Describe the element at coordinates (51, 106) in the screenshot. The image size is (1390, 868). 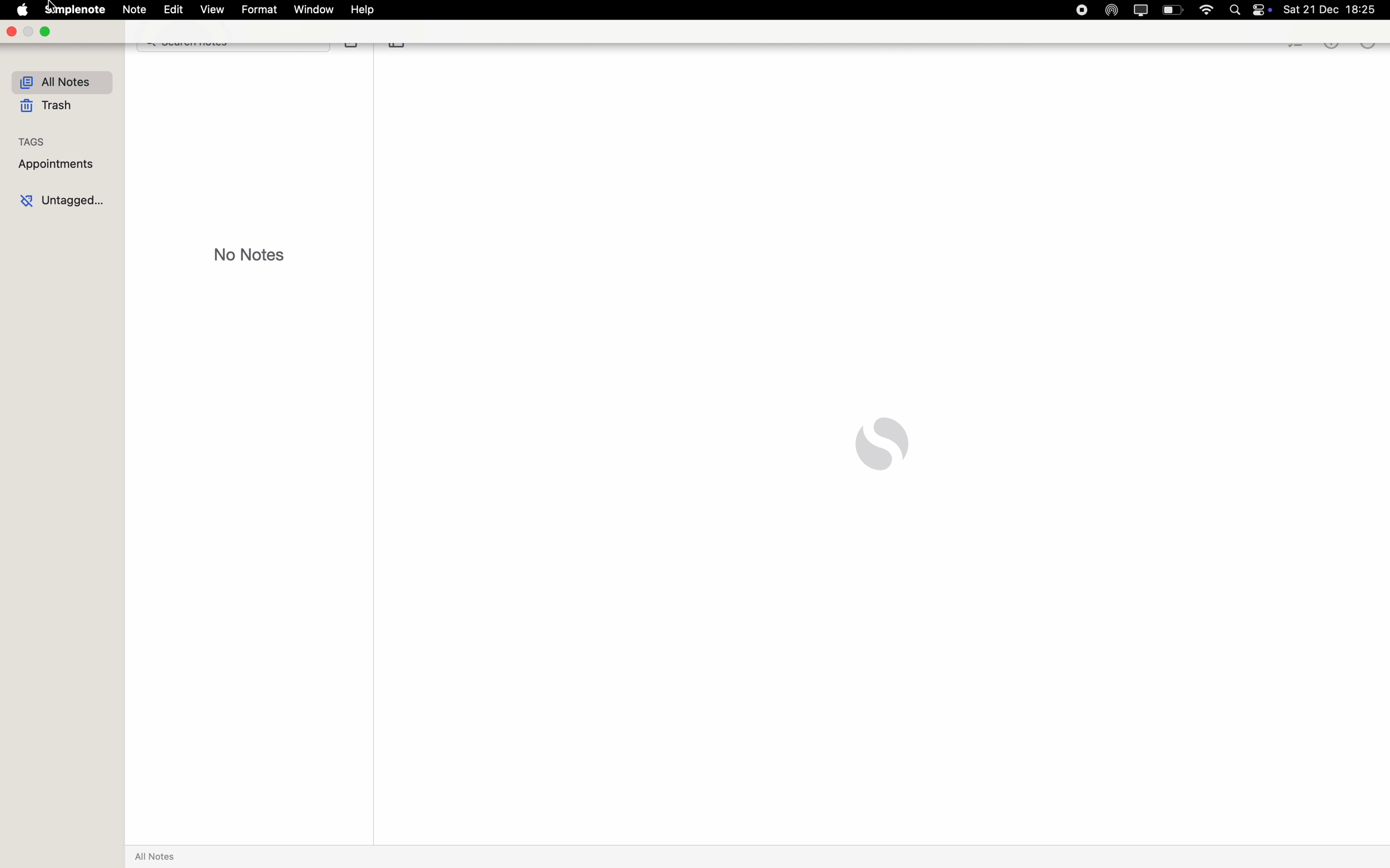
I see `trash` at that location.